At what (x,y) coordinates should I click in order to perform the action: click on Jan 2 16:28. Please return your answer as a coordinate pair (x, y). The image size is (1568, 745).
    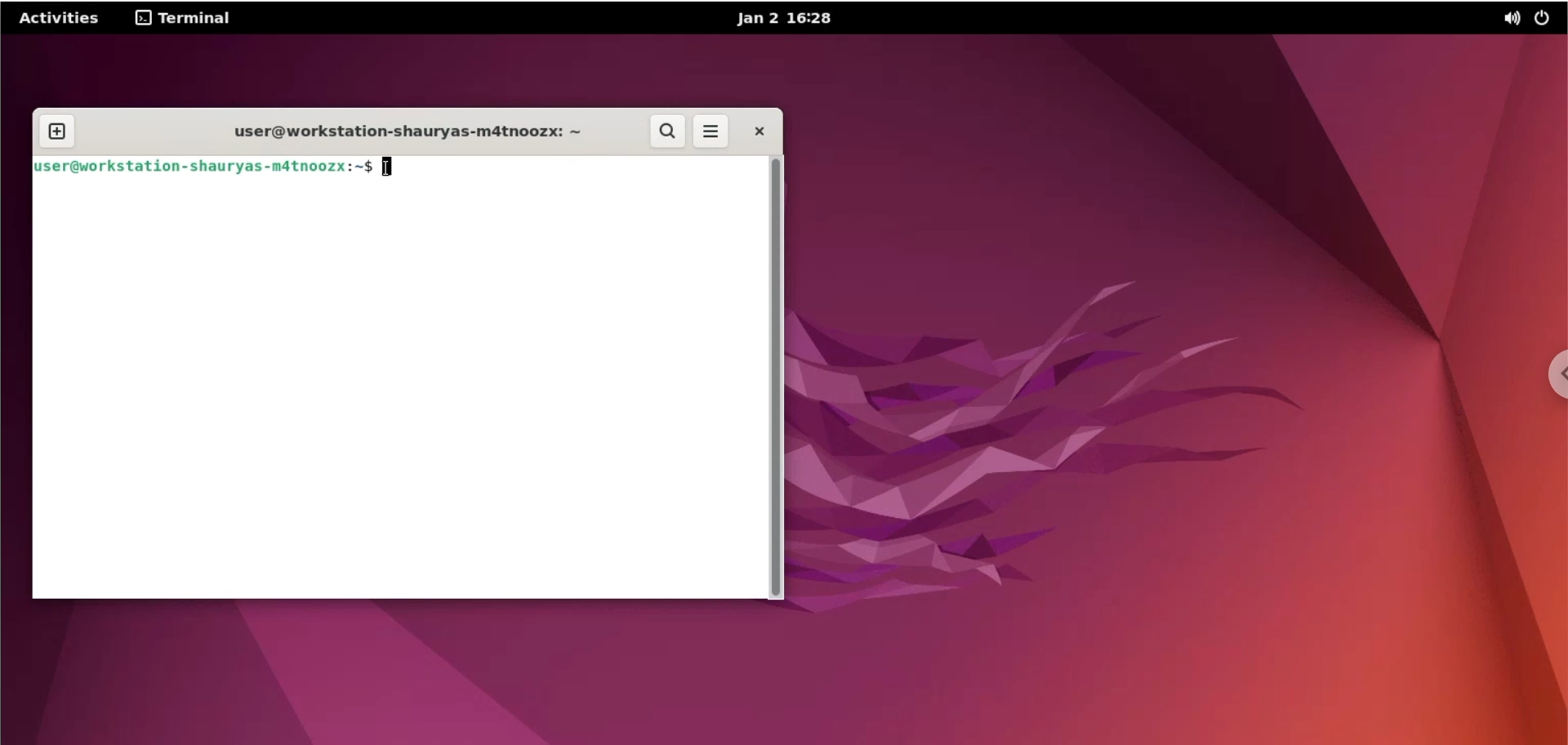
    Looking at the image, I should click on (788, 18).